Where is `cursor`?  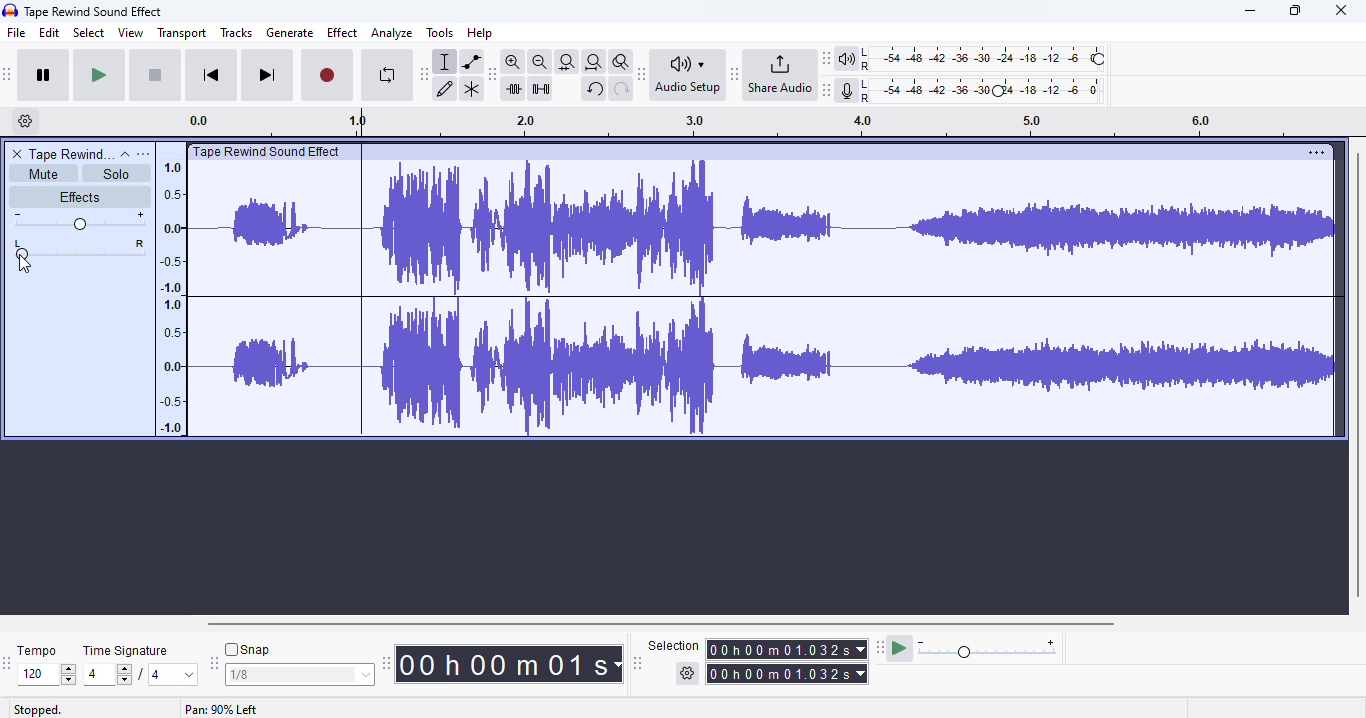
cursor is located at coordinates (26, 264).